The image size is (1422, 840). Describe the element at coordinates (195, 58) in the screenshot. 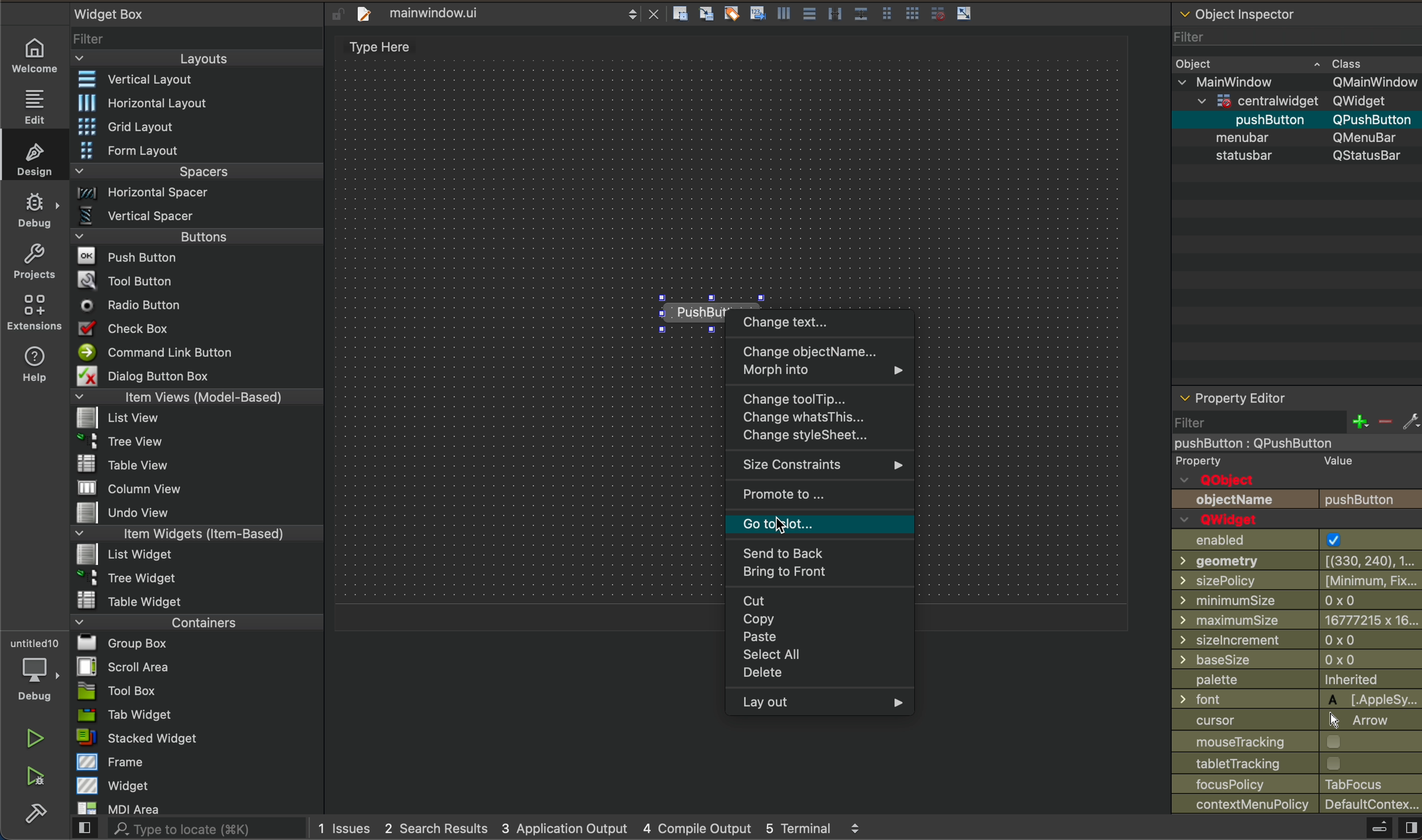

I see `layout` at that location.